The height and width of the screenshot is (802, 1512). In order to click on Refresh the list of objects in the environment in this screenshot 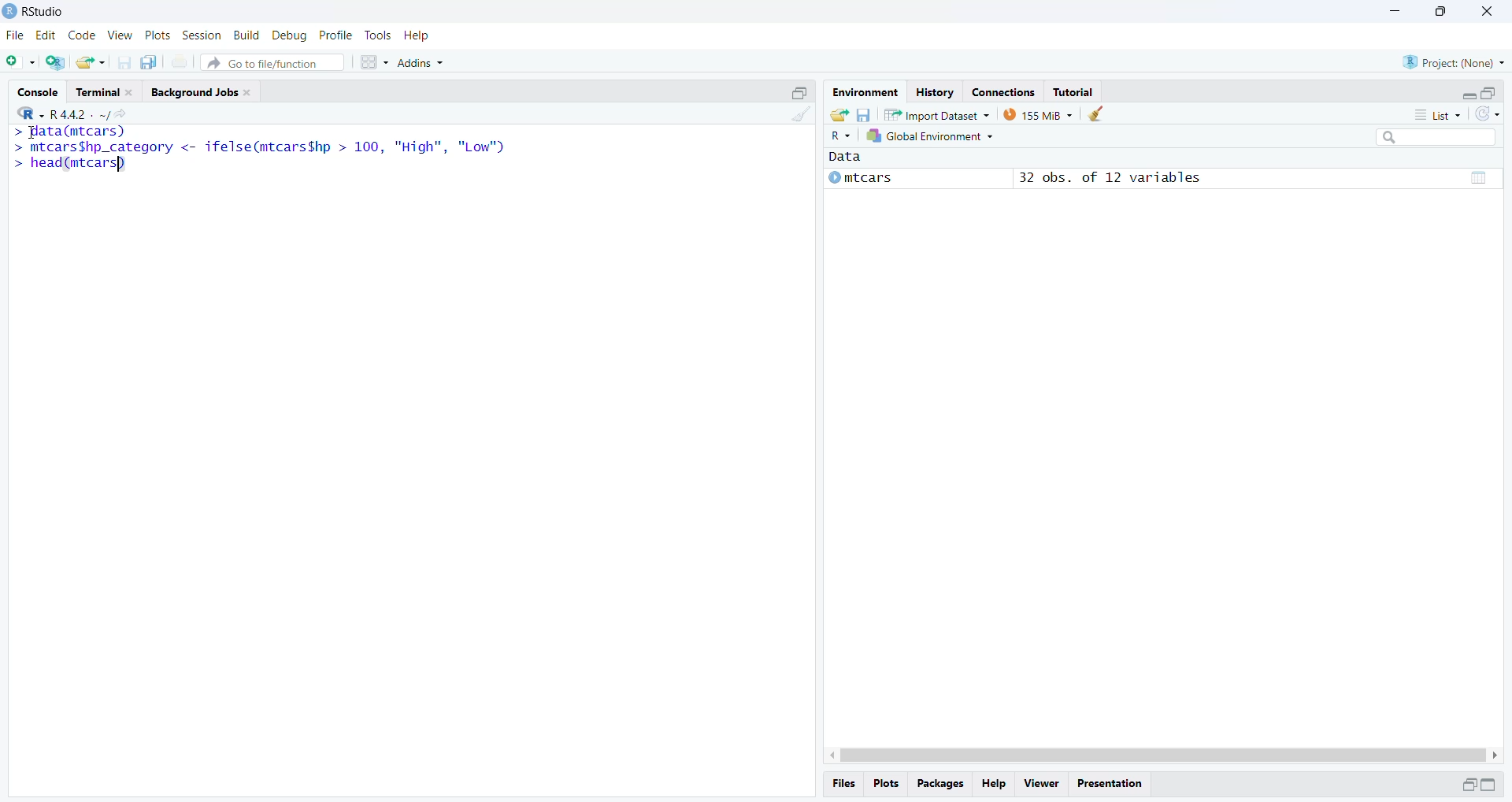, I will do `click(1488, 115)`.